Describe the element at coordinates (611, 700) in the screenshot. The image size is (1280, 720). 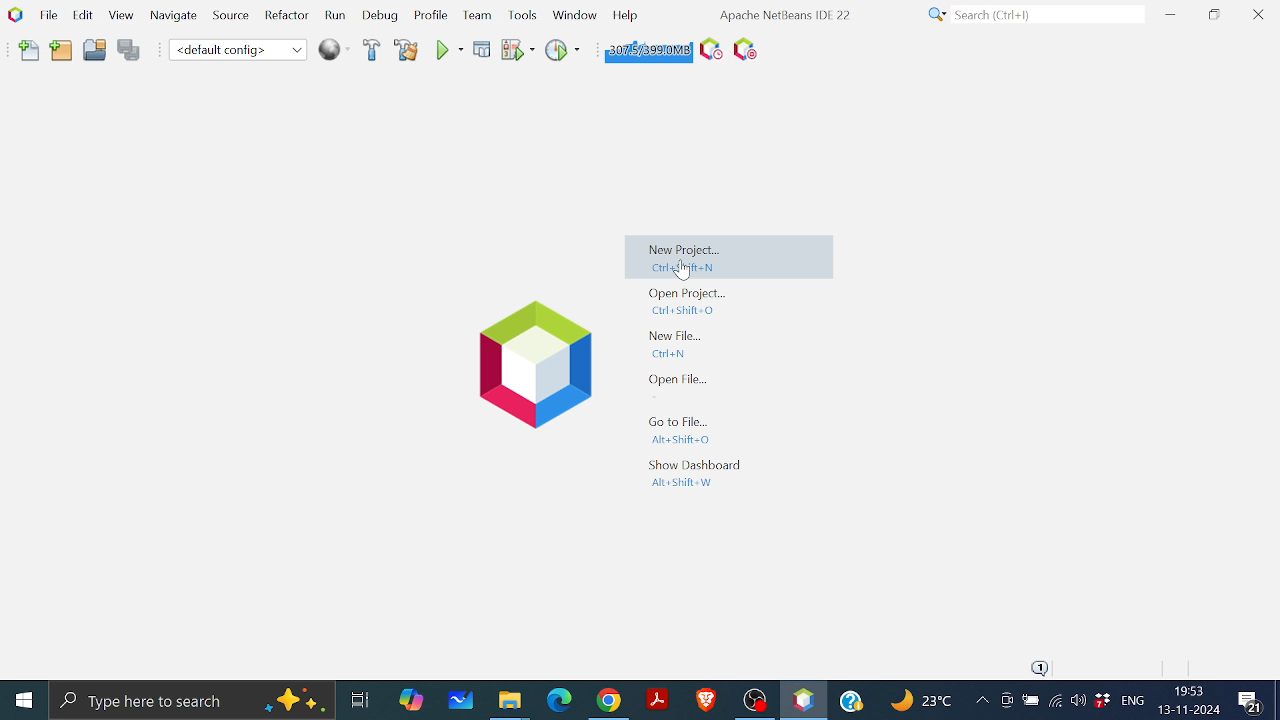
I see `Google chrome` at that location.